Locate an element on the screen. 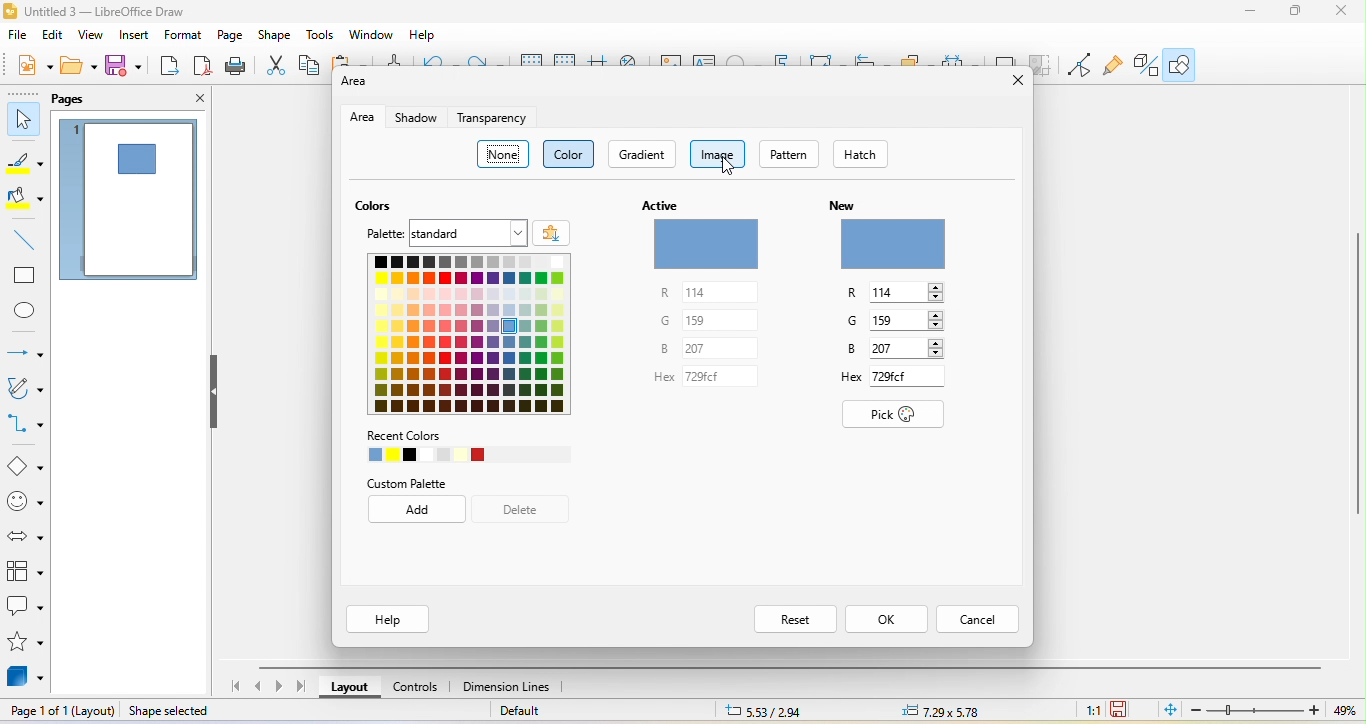 The width and height of the screenshot is (1366, 724). zoom is located at coordinates (1275, 712).